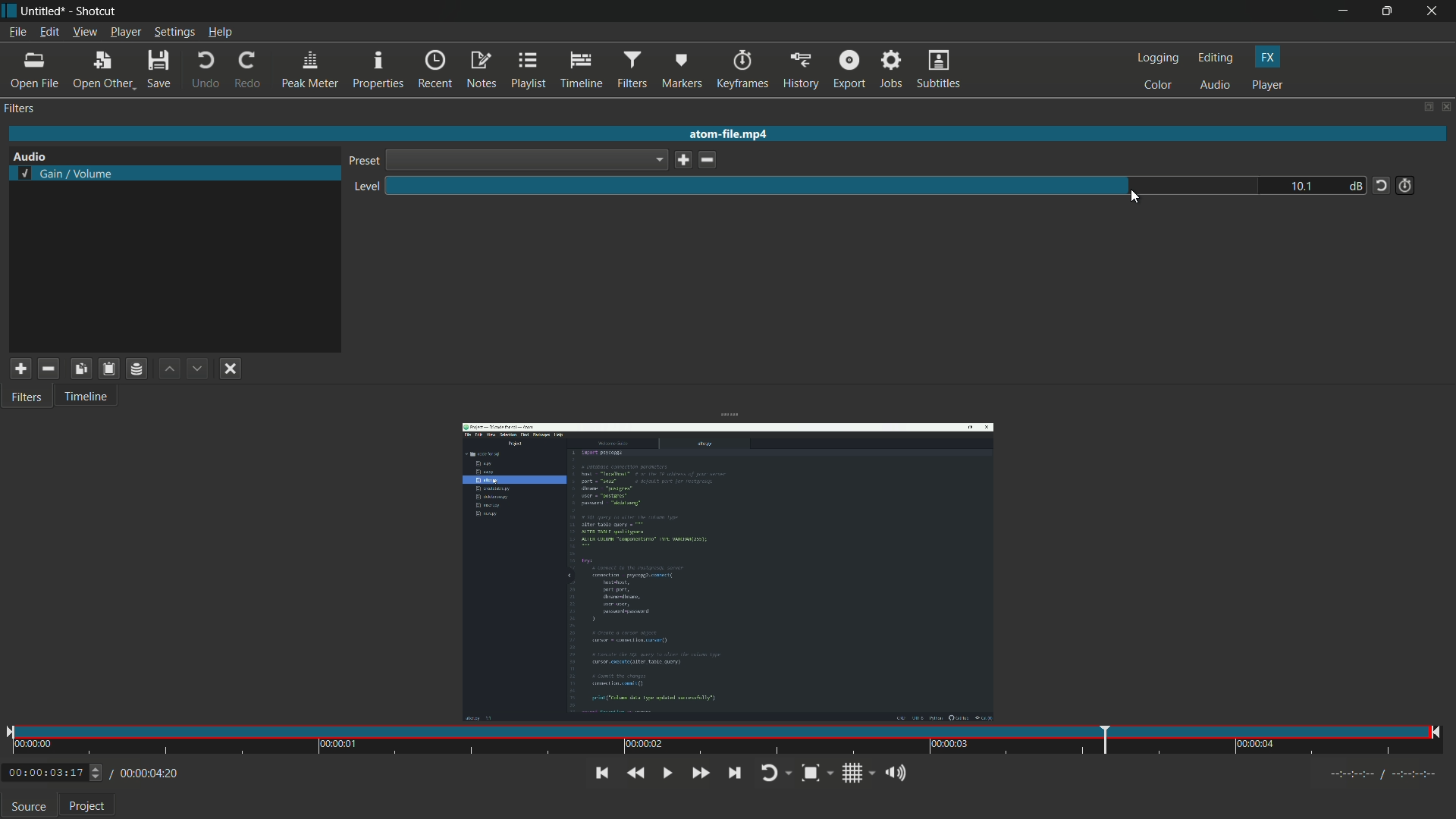 The height and width of the screenshot is (819, 1456). What do you see at coordinates (941, 71) in the screenshot?
I see `subtitles` at bounding box center [941, 71].